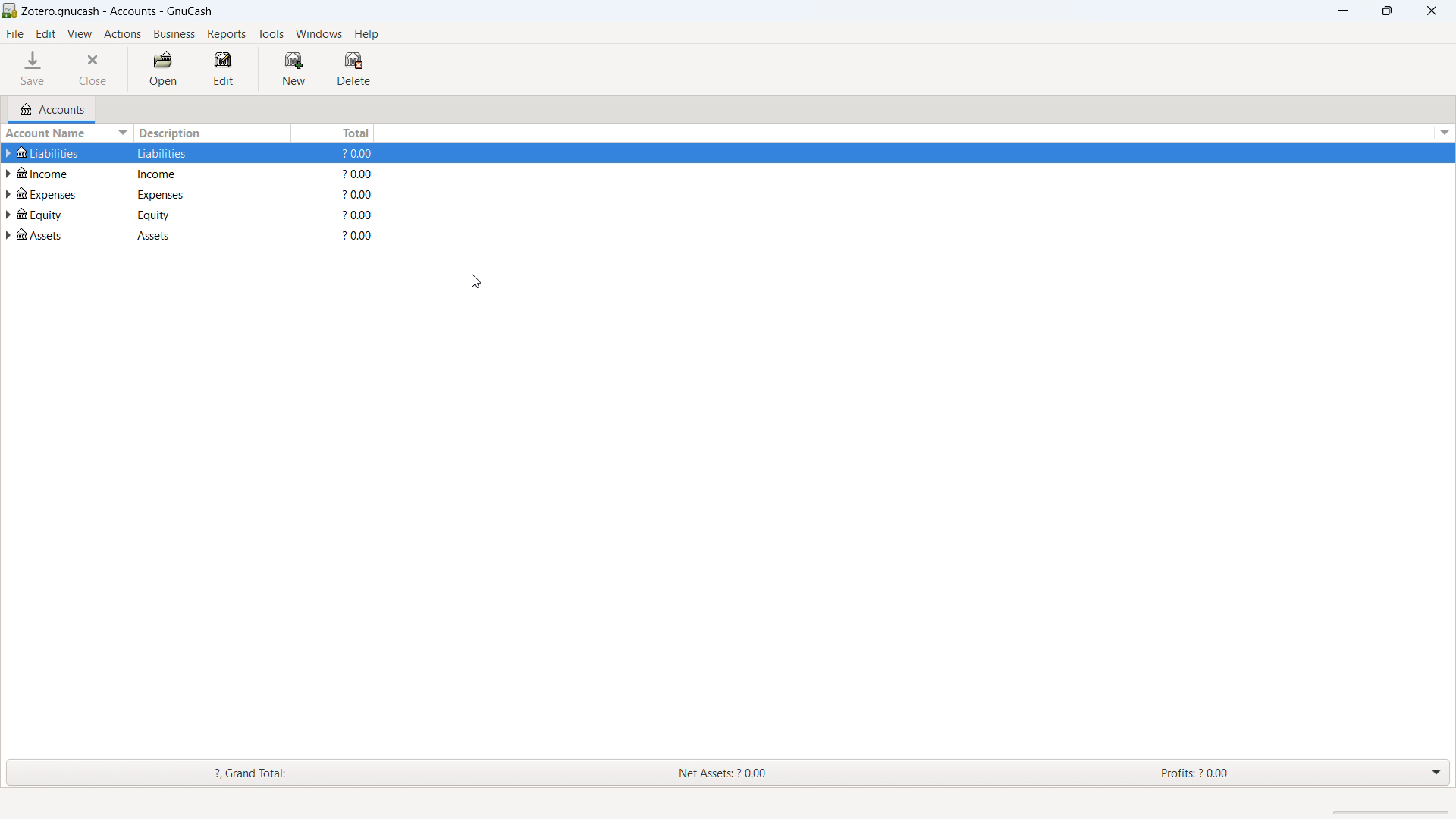 The image size is (1456, 819). Describe the element at coordinates (67, 135) in the screenshot. I see `sort by account name` at that location.